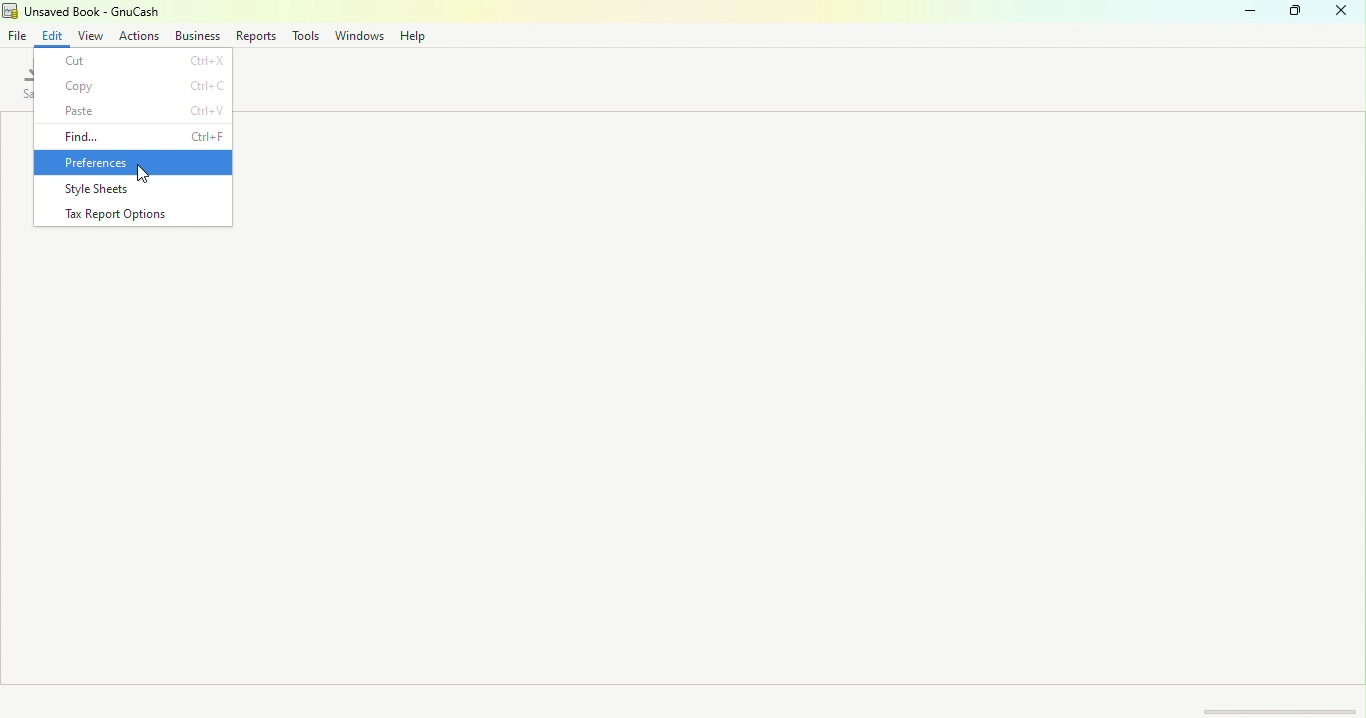 This screenshot has height=718, width=1366. What do you see at coordinates (133, 136) in the screenshot?
I see `Find` at bounding box center [133, 136].